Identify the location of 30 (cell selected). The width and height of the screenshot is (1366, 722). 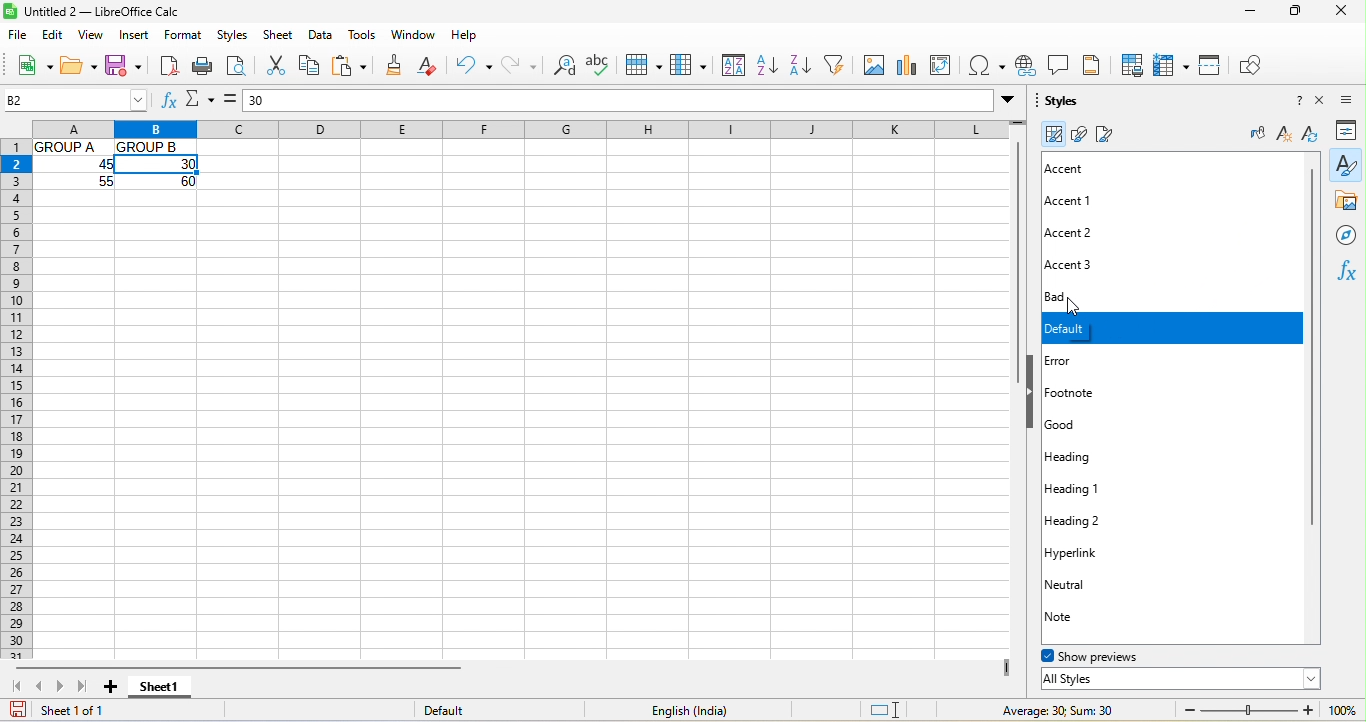
(157, 163).